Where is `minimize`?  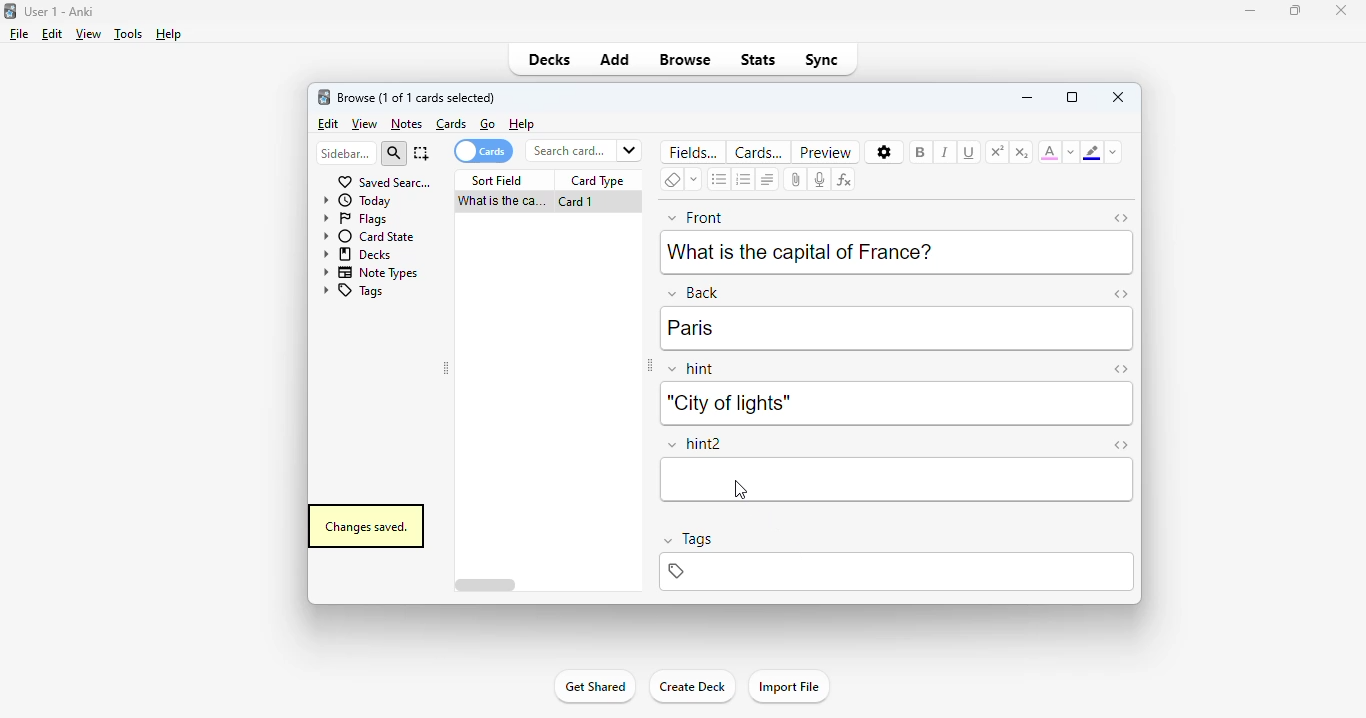 minimize is located at coordinates (1251, 10).